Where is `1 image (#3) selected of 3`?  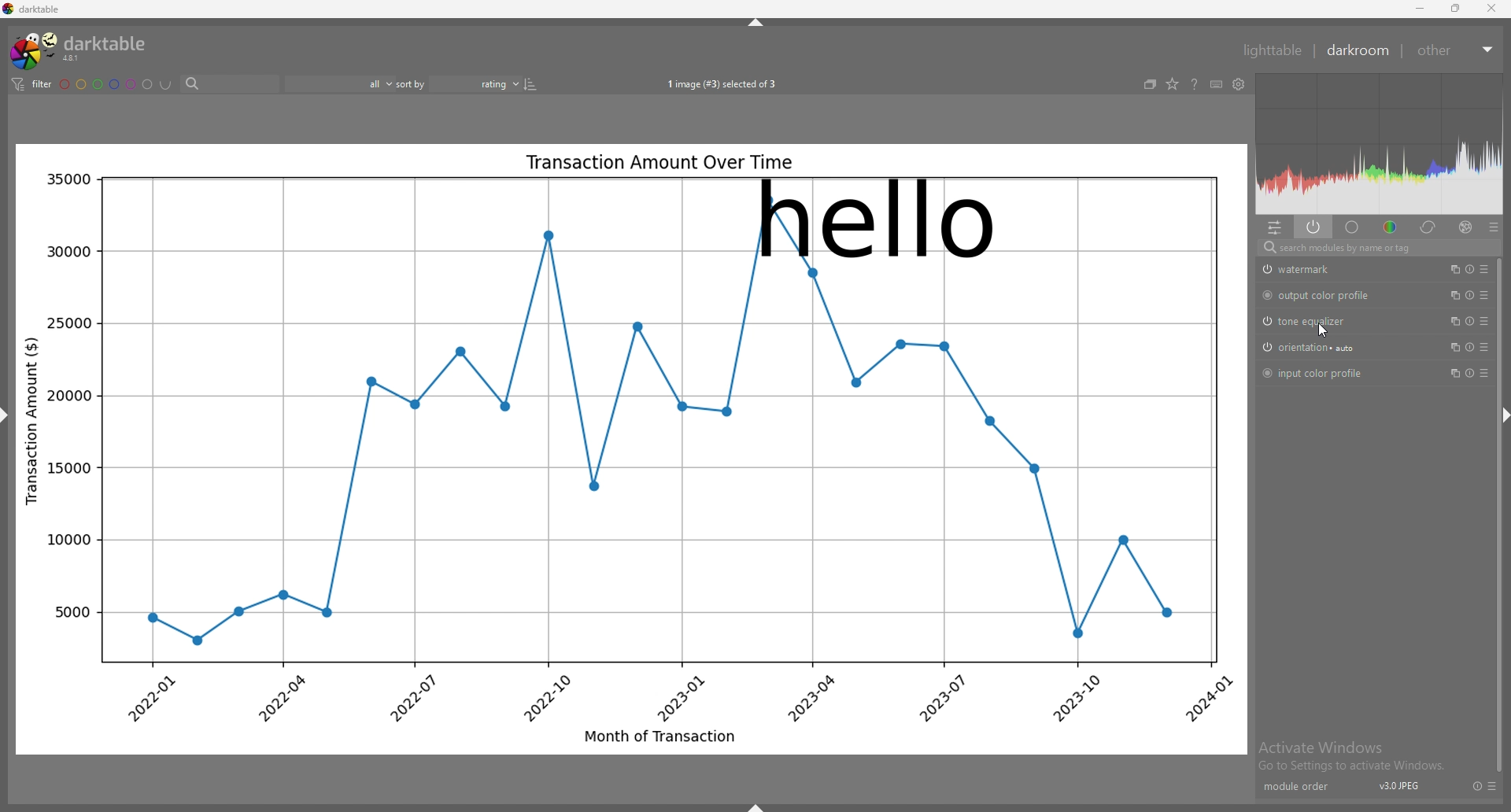
1 image (#3) selected of 3 is located at coordinates (722, 85).